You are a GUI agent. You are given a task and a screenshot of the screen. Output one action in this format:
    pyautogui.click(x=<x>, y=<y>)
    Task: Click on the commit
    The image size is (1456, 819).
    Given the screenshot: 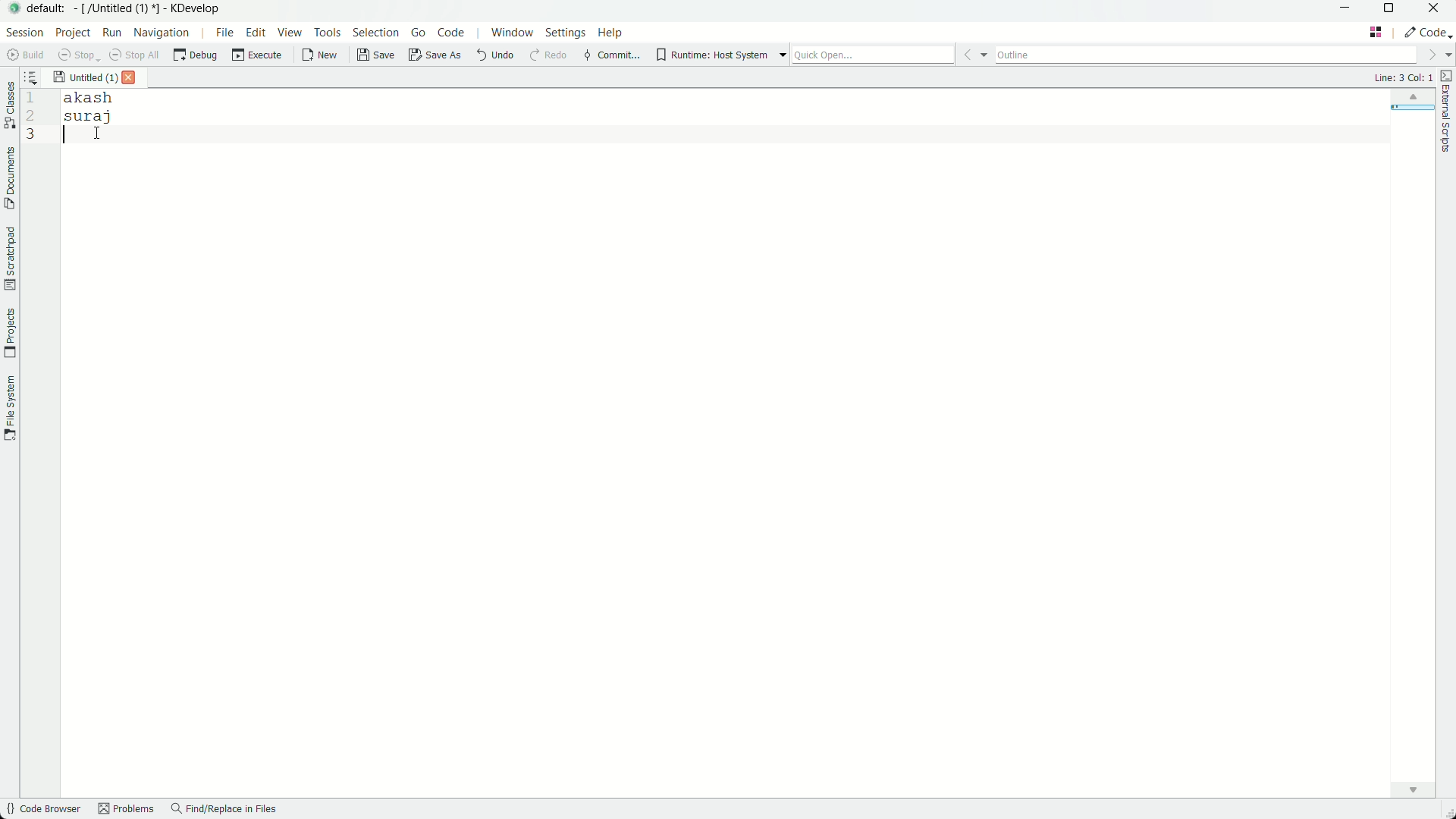 What is the action you would take?
    pyautogui.click(x=610, y=57)
    